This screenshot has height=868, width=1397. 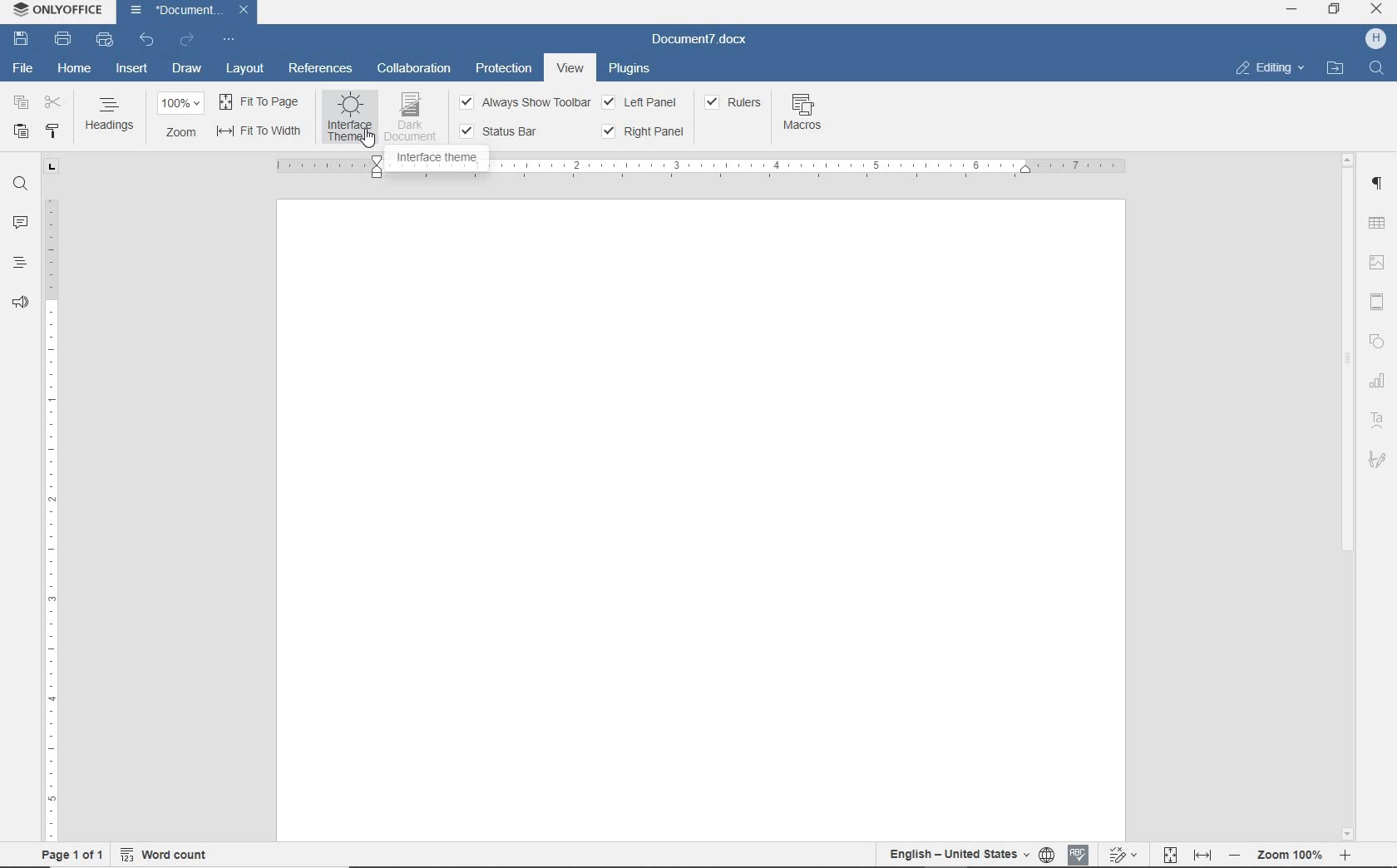 I want to click on COPY STYLE, so click(x=54, y=132).